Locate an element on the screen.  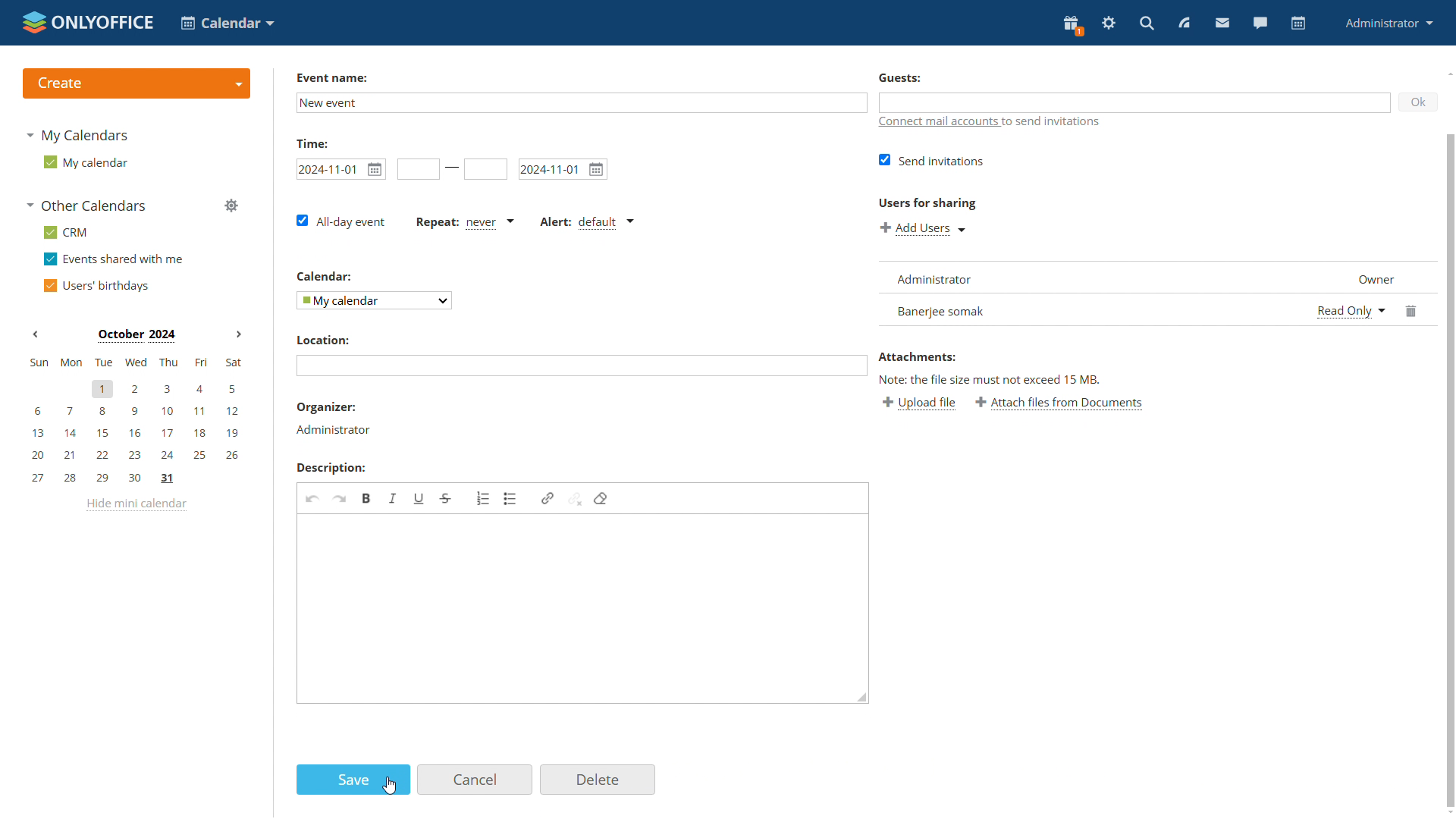
end date is located at coordinates (564, 168).